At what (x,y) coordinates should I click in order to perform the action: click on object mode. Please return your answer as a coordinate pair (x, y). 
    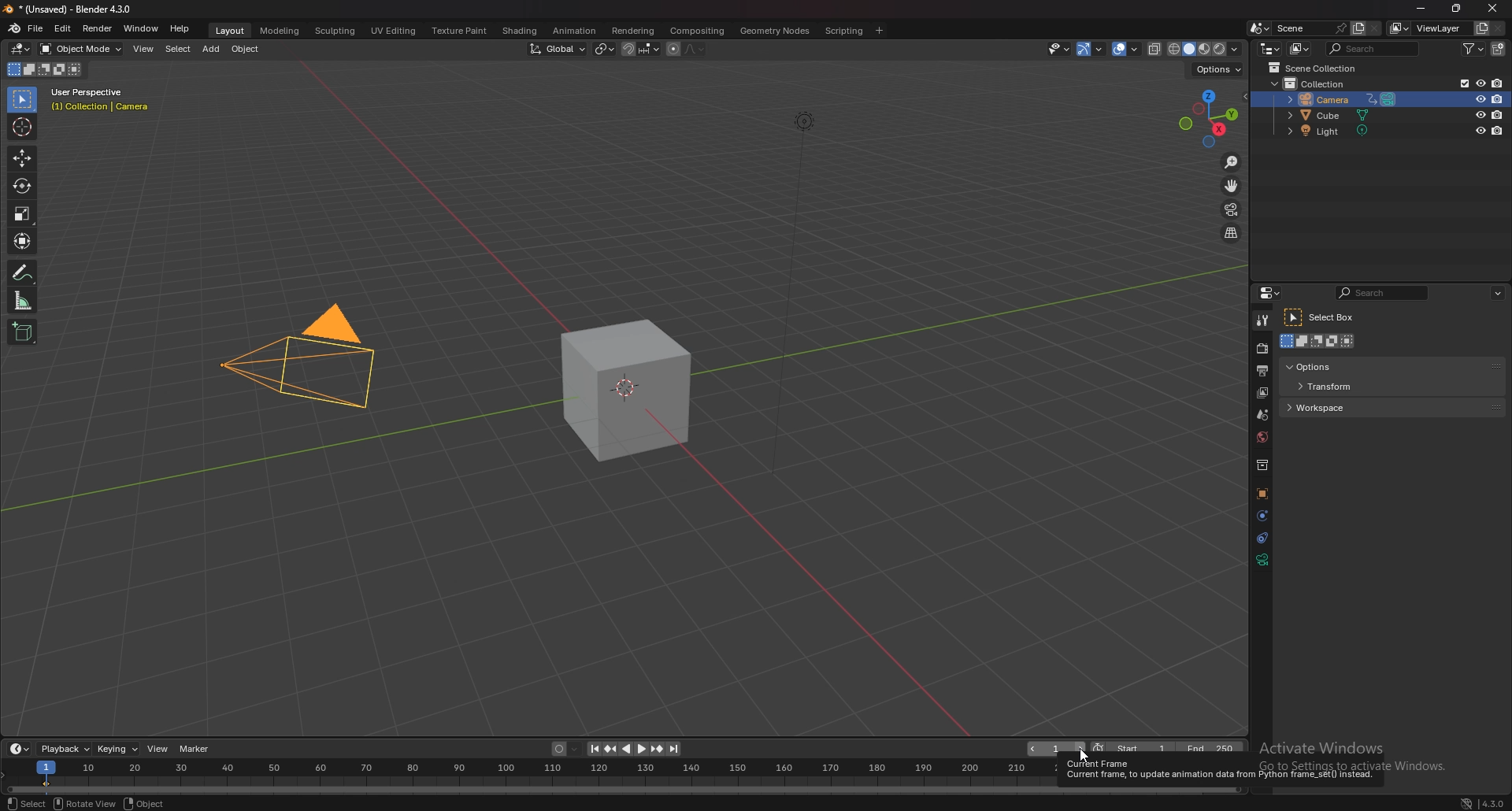
    Looking at the image, I should click on (80, 49).